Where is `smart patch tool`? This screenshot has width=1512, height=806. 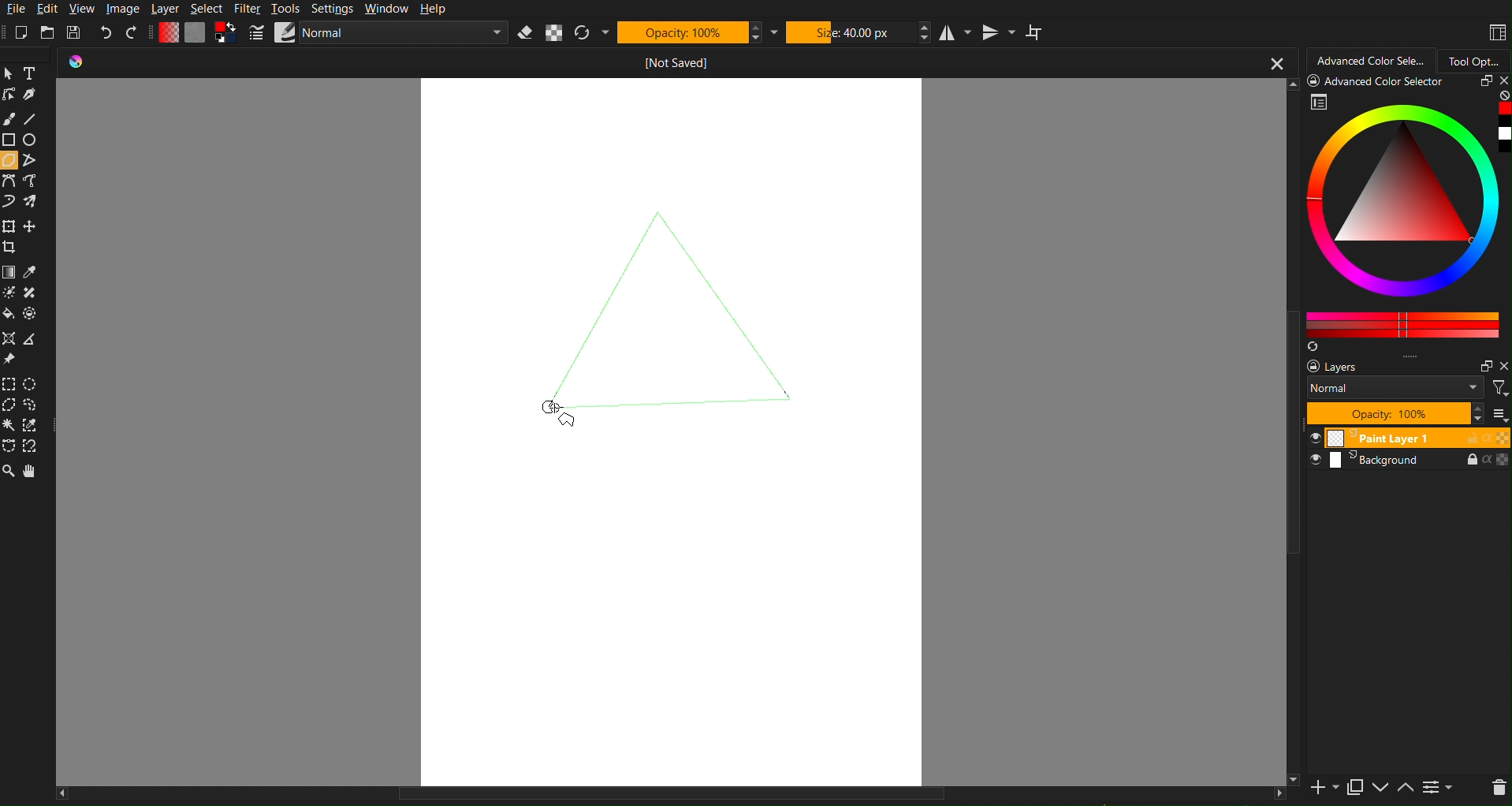 smart patch tool is located at coordinates (32, 291).